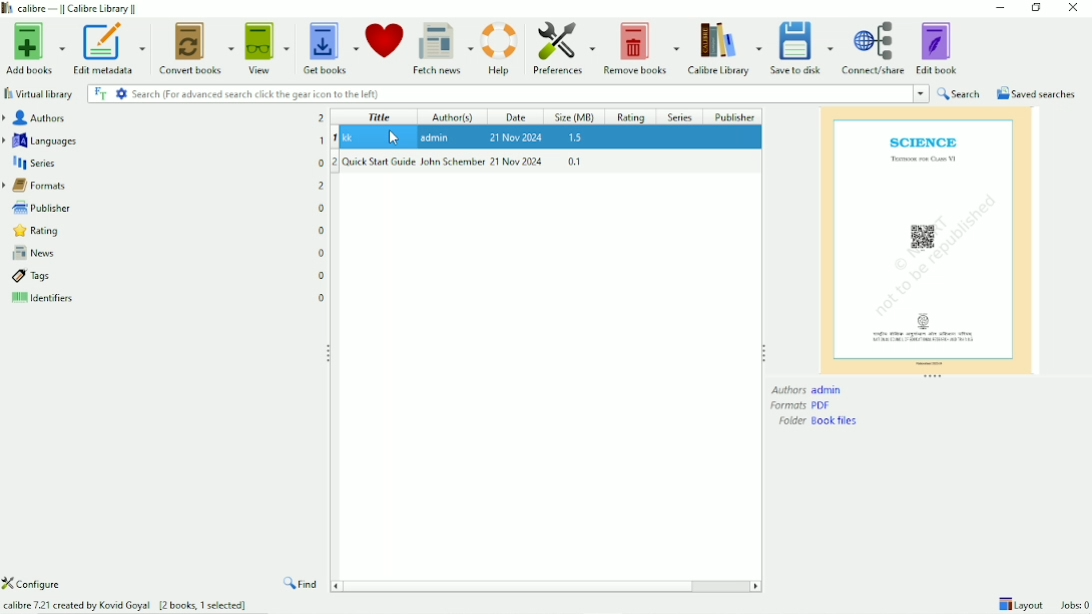 The width and height of the screenshot is (1092, 614). Describe the element at coordinates (764, 352) in the screenshot. I see `Resize` at that location.